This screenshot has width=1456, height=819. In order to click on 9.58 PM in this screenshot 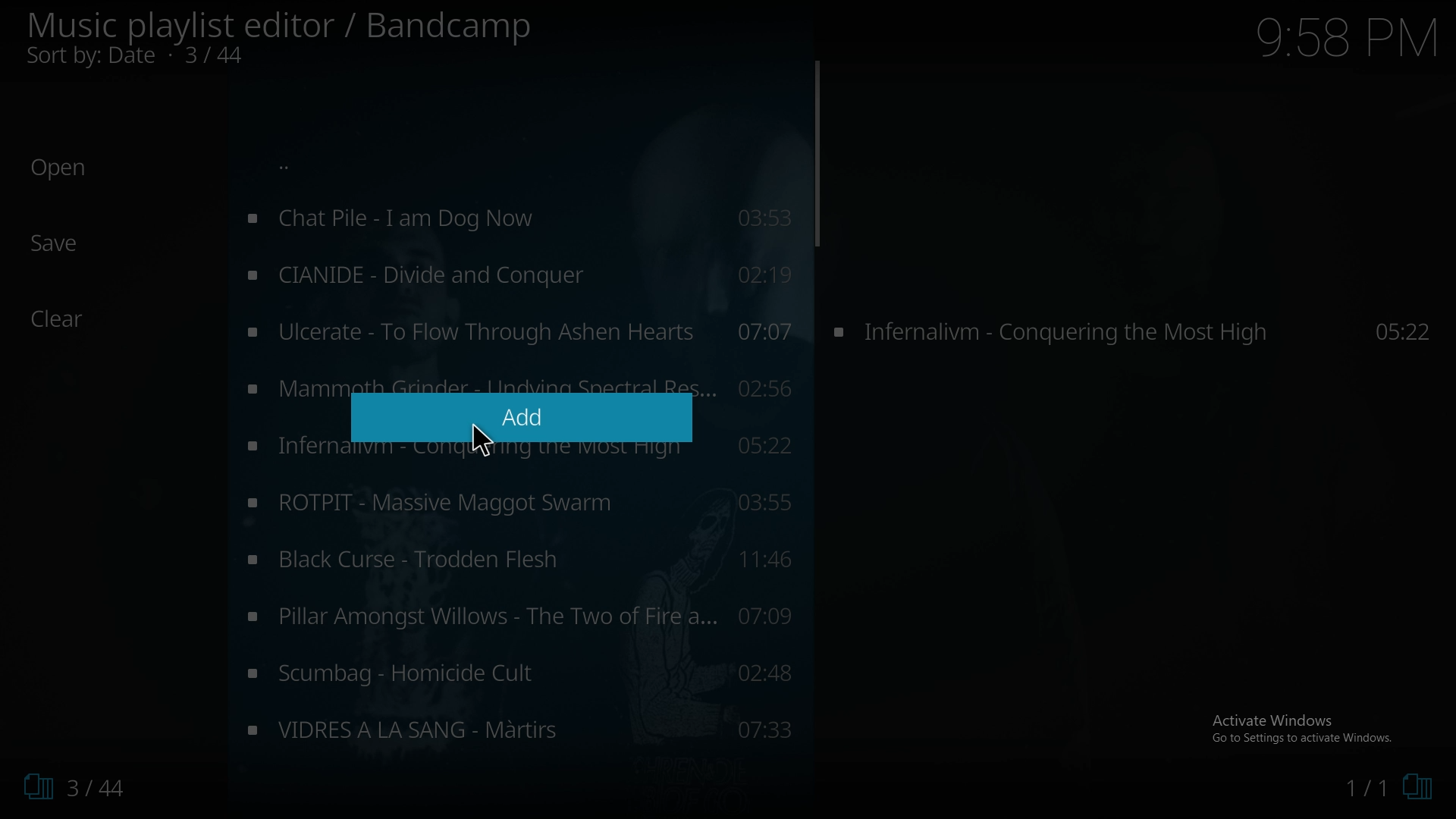, I will do `click(1346, 37)`.